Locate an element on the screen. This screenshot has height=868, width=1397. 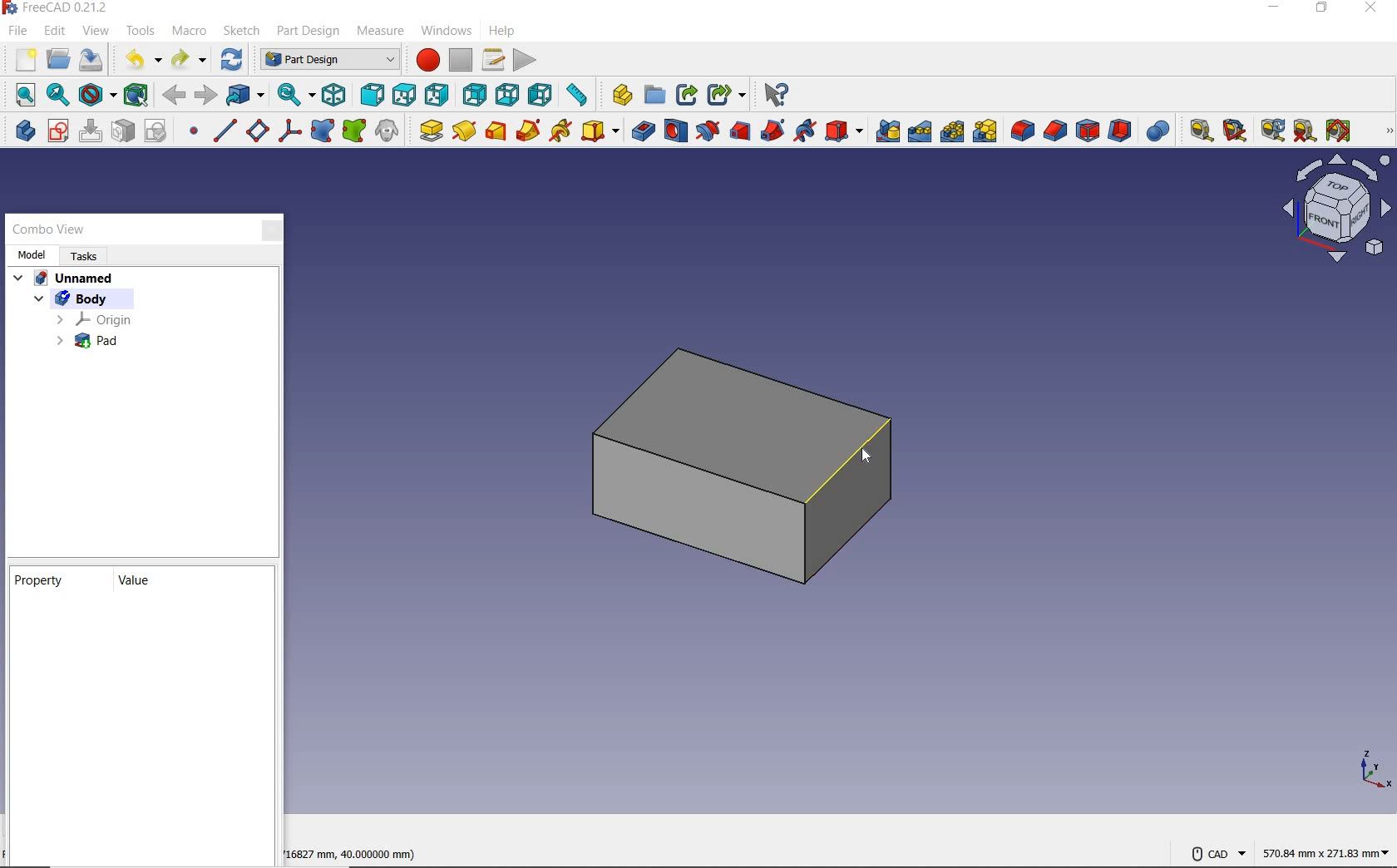
pad is located at coordinates (429, 131).